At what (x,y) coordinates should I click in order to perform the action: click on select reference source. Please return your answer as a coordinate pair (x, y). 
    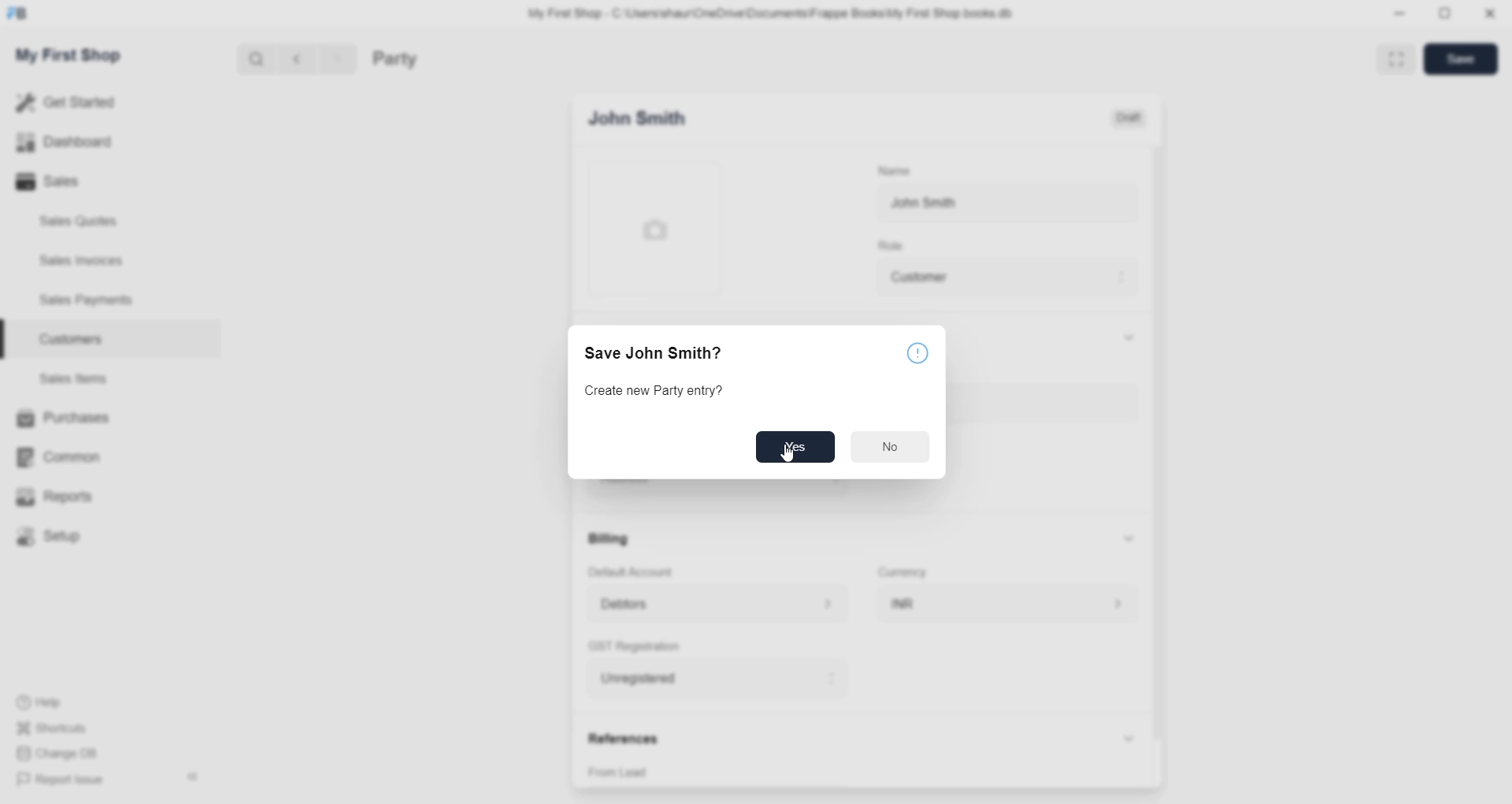
    Looking at the image, I should click on (868, 773).